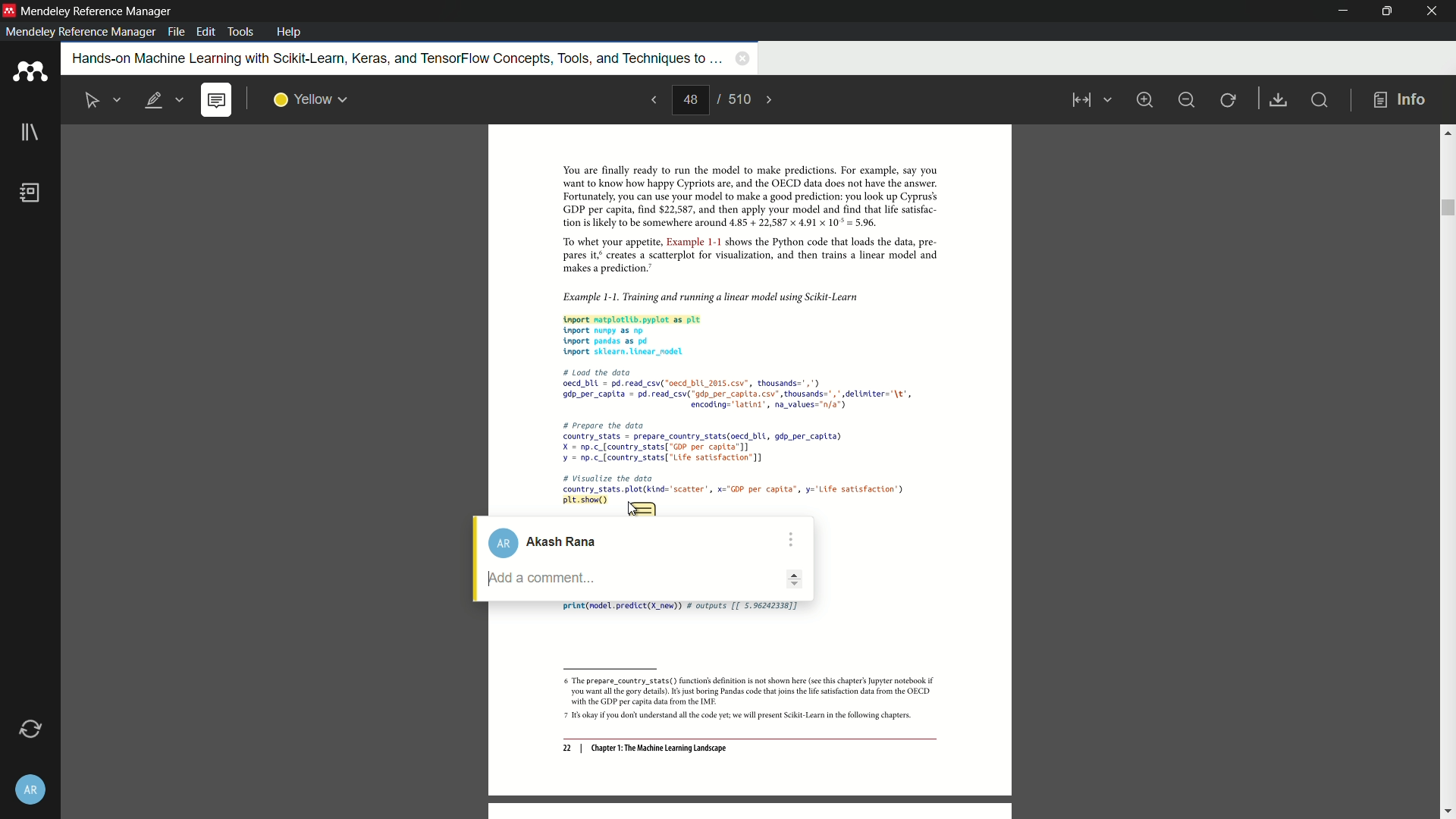 This screenshot has width=1456, height=819. I want to click on find, so click(1318, 99).